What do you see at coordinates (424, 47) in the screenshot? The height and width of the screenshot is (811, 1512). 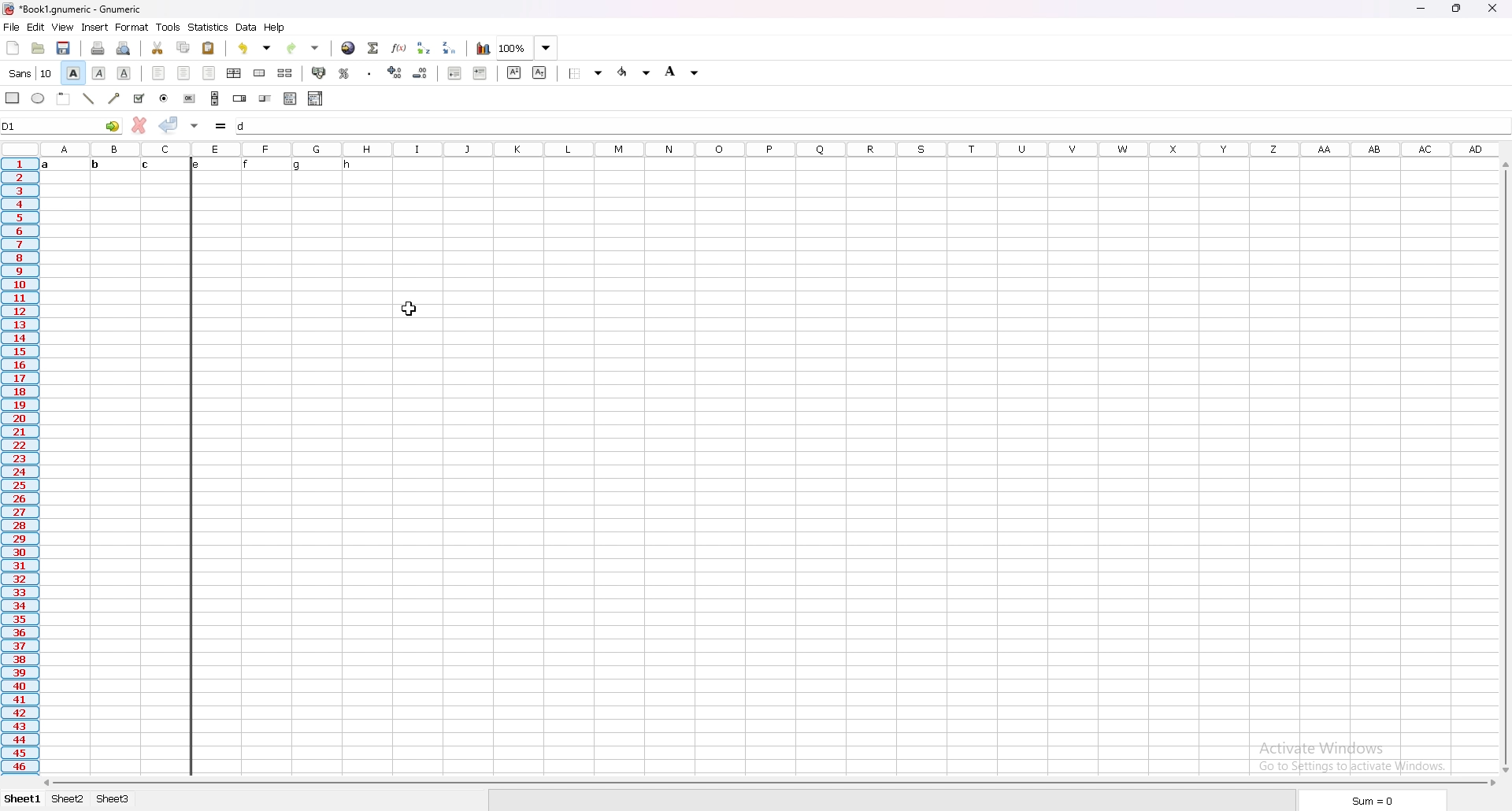 I see `sort ascending` at bounding box center [424, 47].